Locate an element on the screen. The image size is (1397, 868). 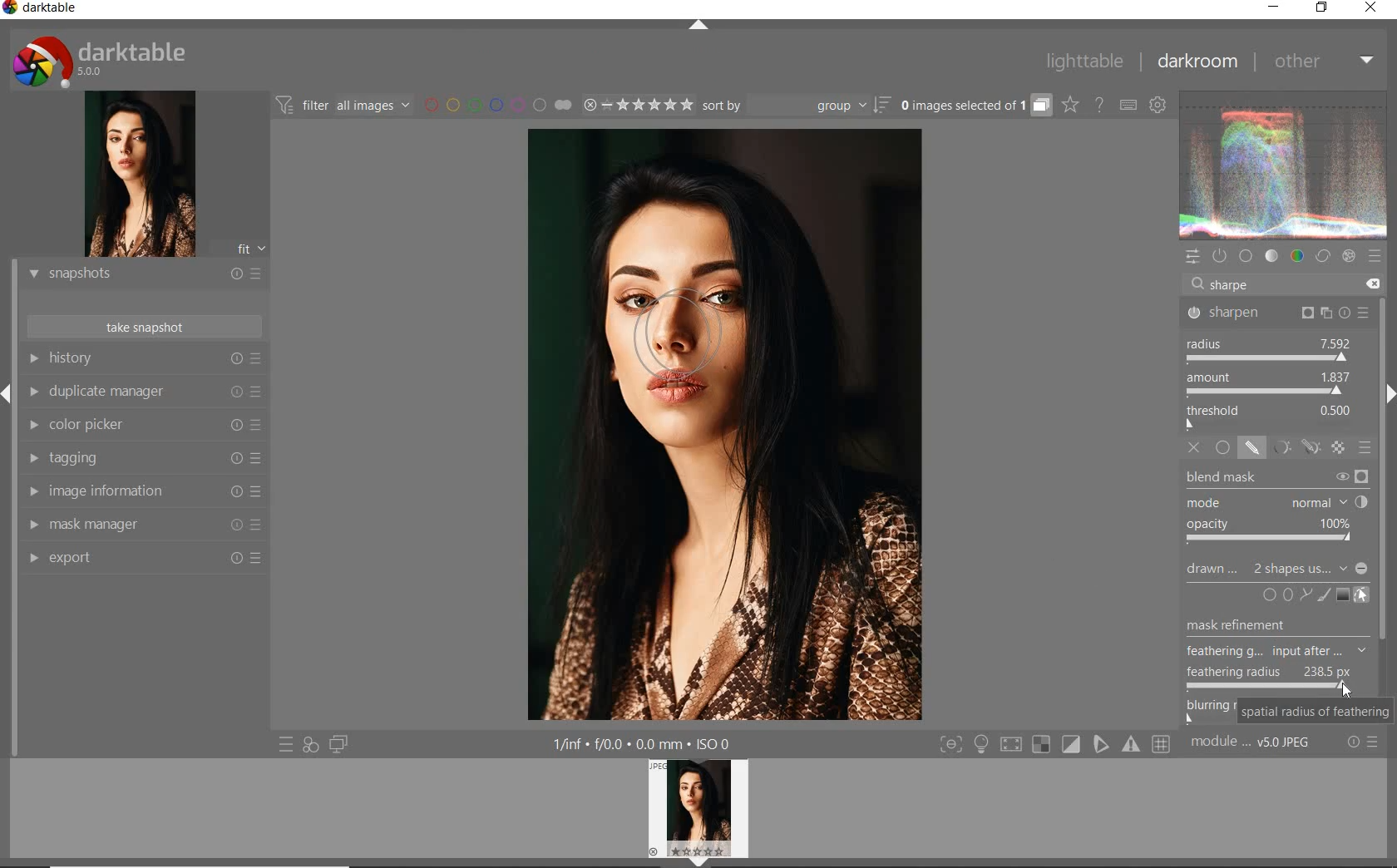
expand grouped images is located at coordinates (975, 106).